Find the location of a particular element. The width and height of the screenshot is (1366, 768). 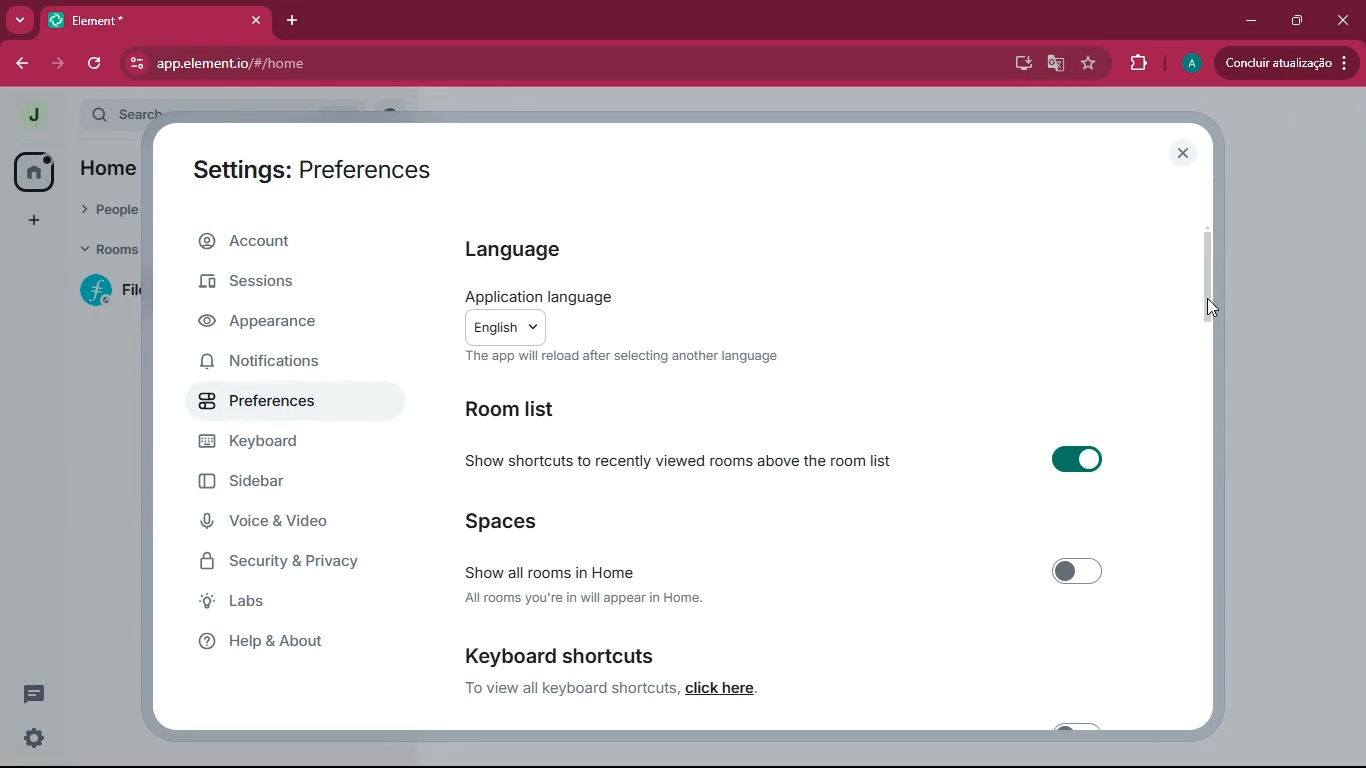

profile is located at coordinates (1189, 62).